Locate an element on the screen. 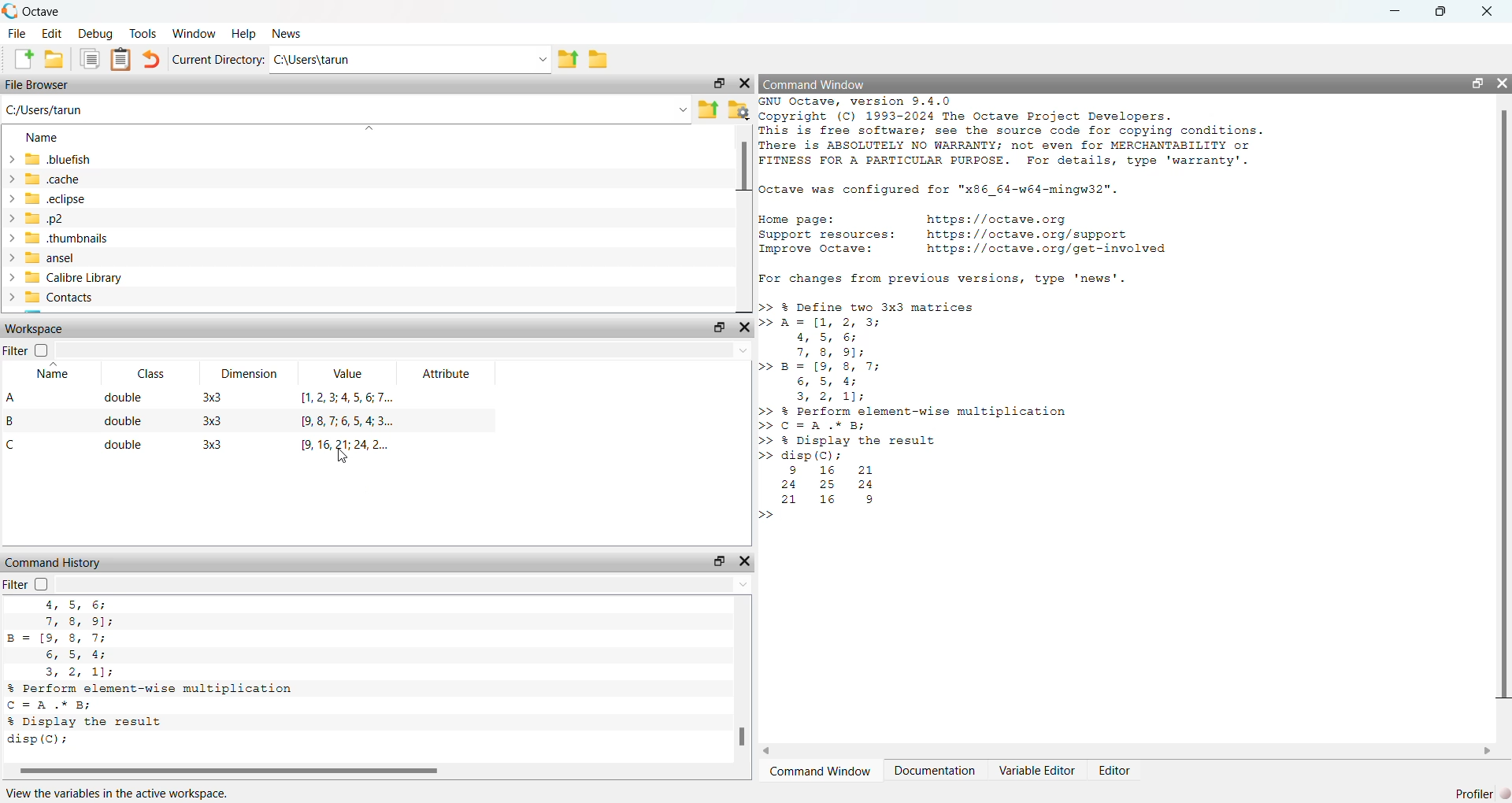 This screenshot has height=803, width=1512. .bluefish is located at coordinates (48, 161).